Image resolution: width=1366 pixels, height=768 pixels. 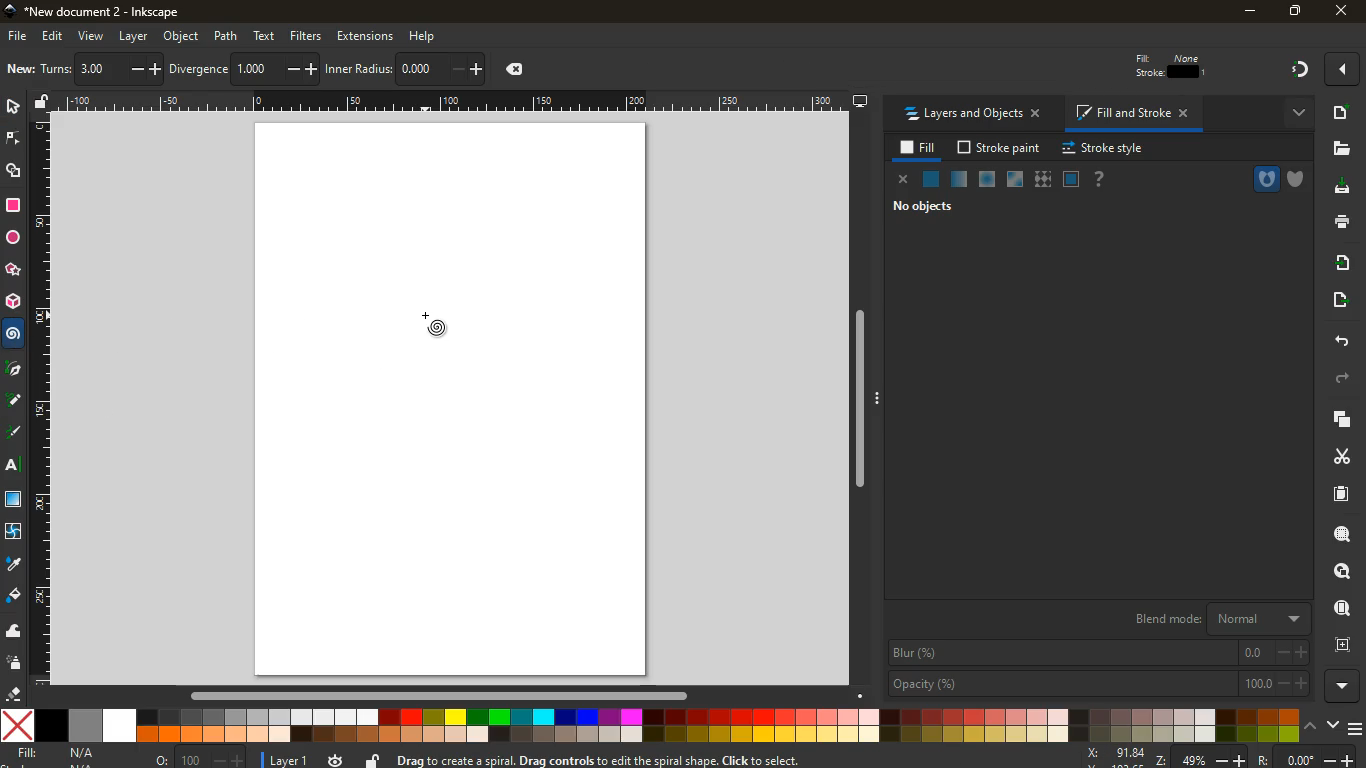 I want to click on no objects, so click(x=915, y=207).